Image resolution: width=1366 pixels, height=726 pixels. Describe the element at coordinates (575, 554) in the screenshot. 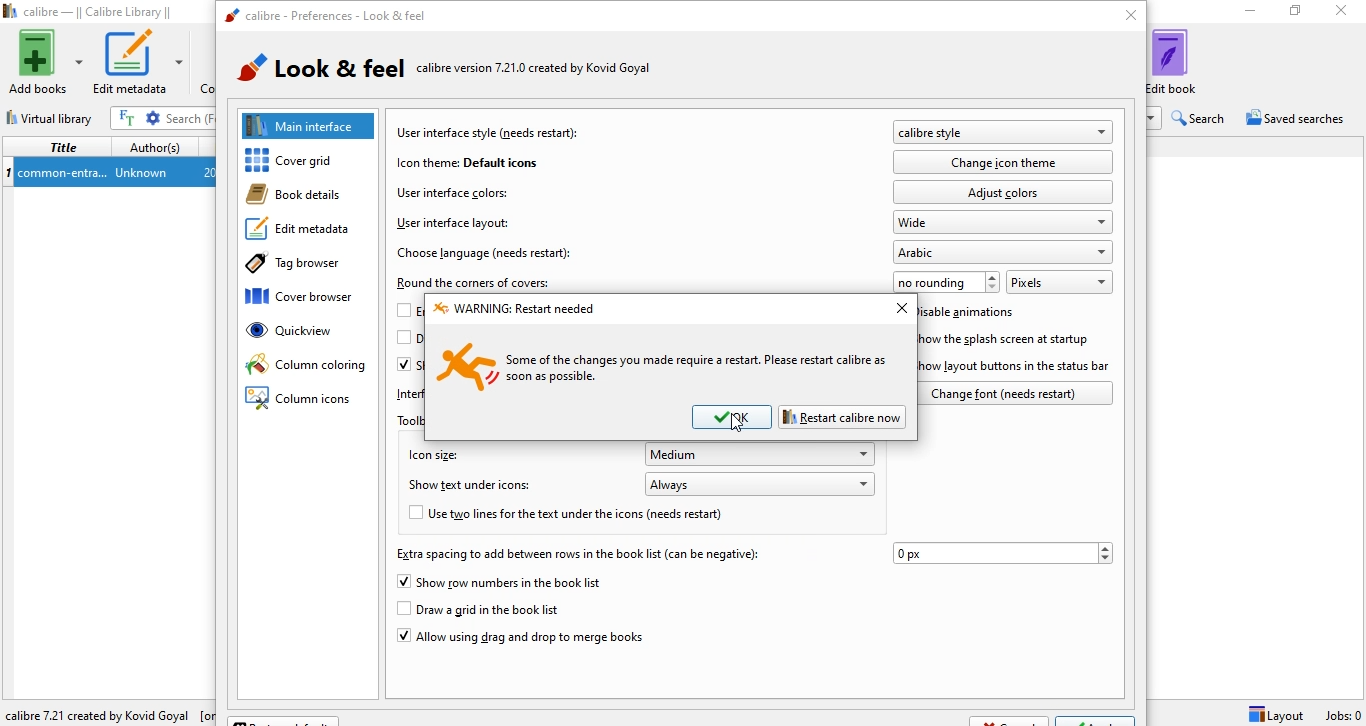

I see `extra spacing to add between in the book list (can be negative)` at that location.